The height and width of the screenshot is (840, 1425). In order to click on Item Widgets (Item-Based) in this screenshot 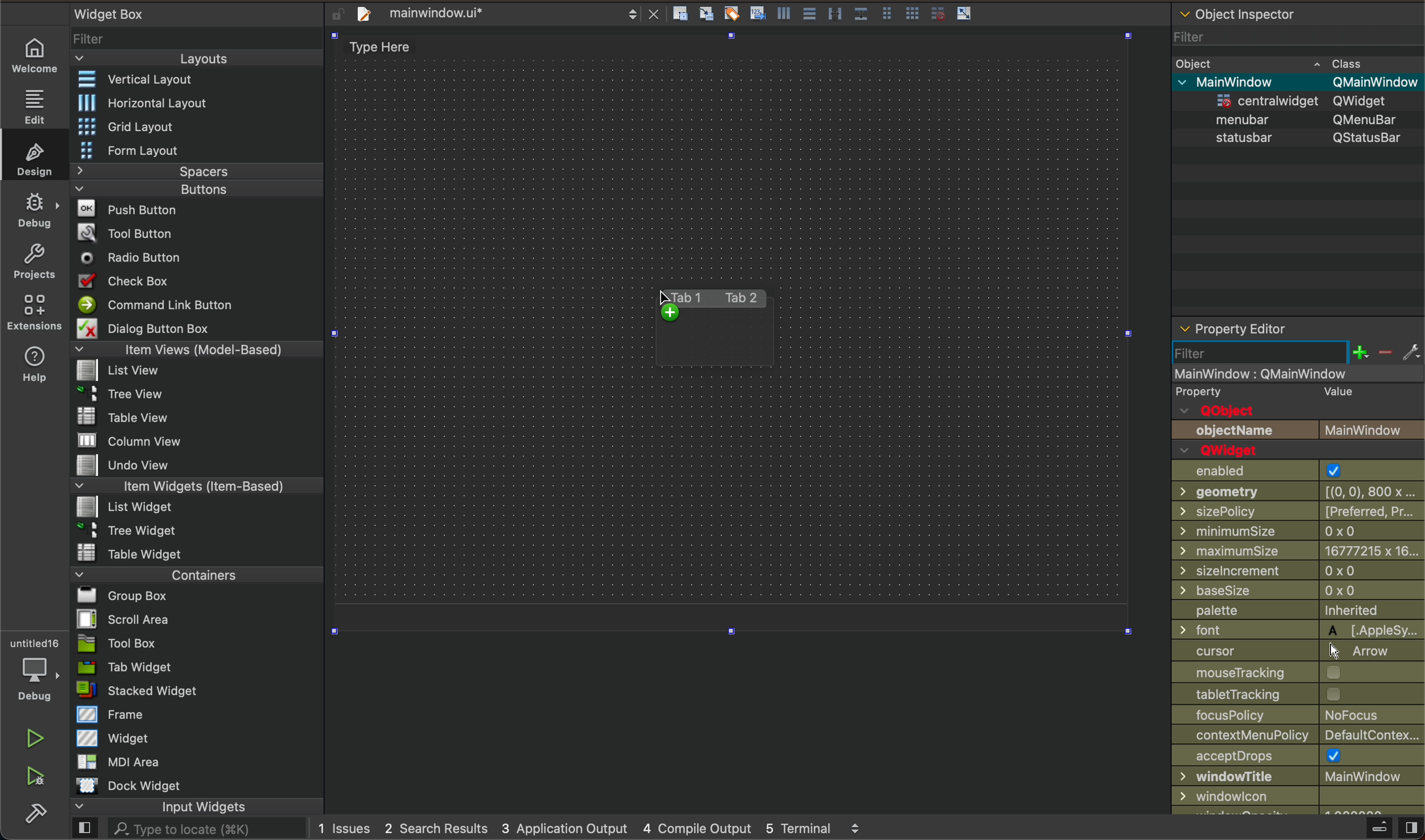, I will do `click(198, 486)`.